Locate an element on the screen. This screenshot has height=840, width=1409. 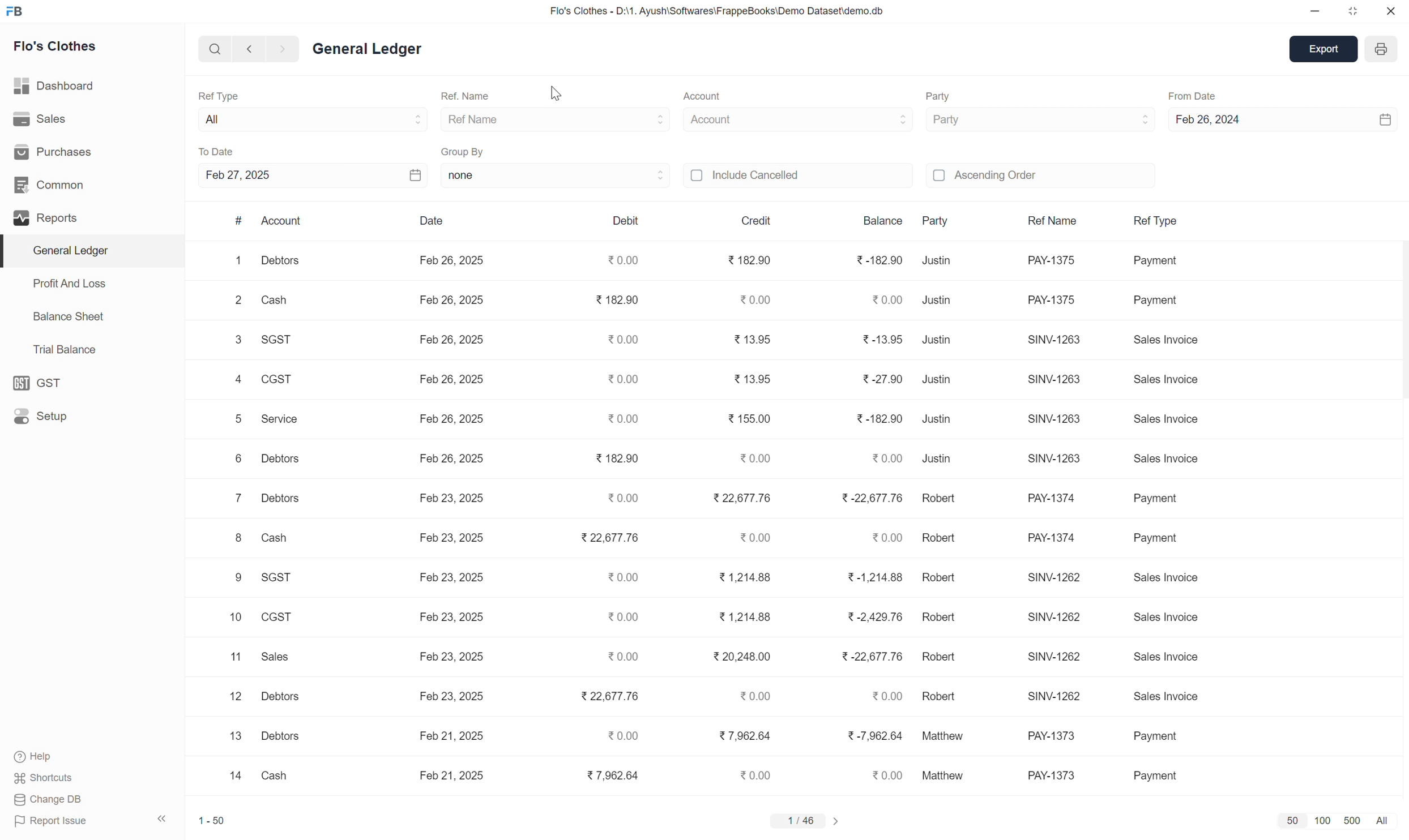
robert is located at coordinates (941, 541).